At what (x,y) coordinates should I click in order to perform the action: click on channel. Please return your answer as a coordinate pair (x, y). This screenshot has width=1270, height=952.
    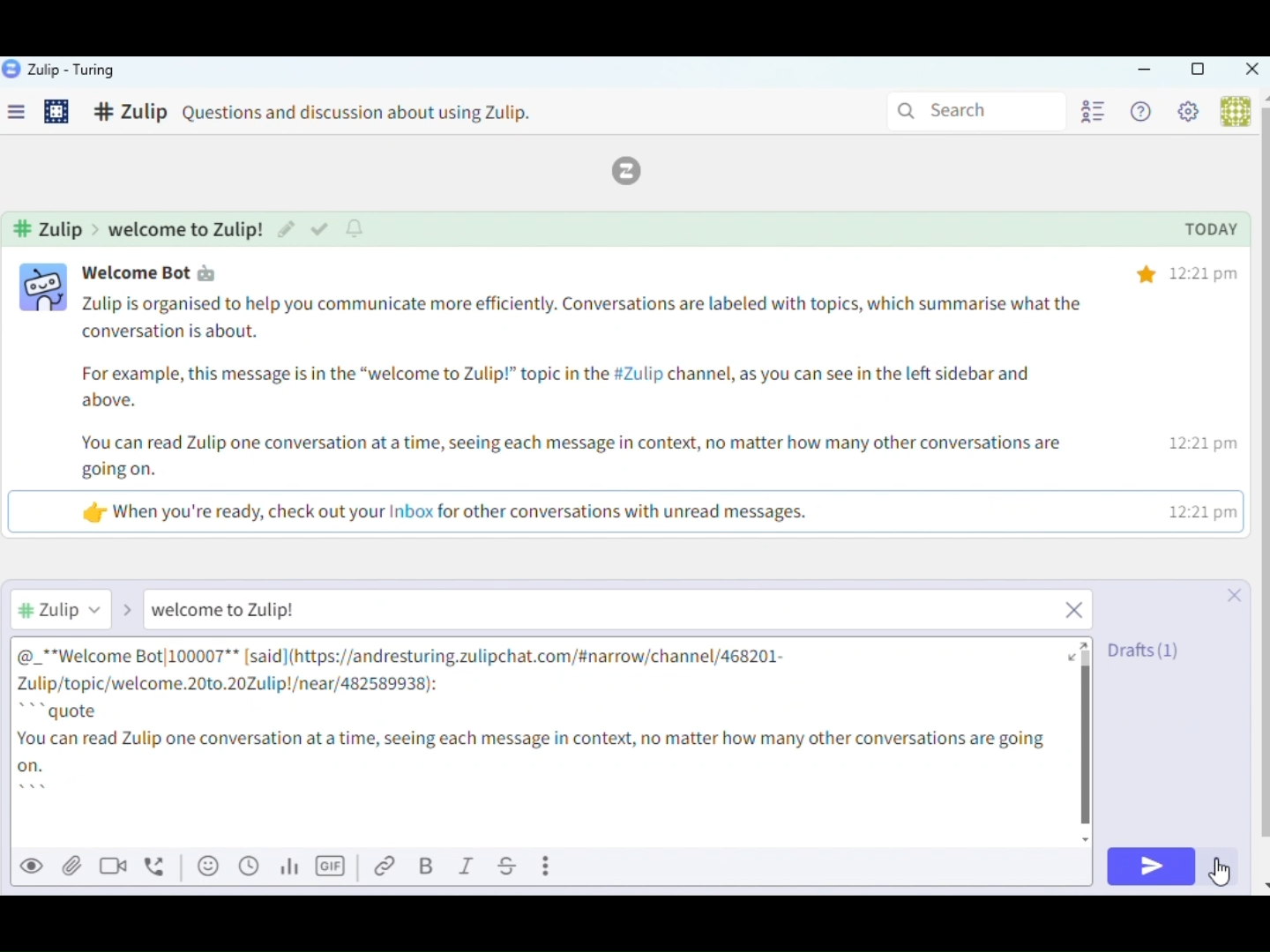
    Looking at the image, I should click on (140, 228).